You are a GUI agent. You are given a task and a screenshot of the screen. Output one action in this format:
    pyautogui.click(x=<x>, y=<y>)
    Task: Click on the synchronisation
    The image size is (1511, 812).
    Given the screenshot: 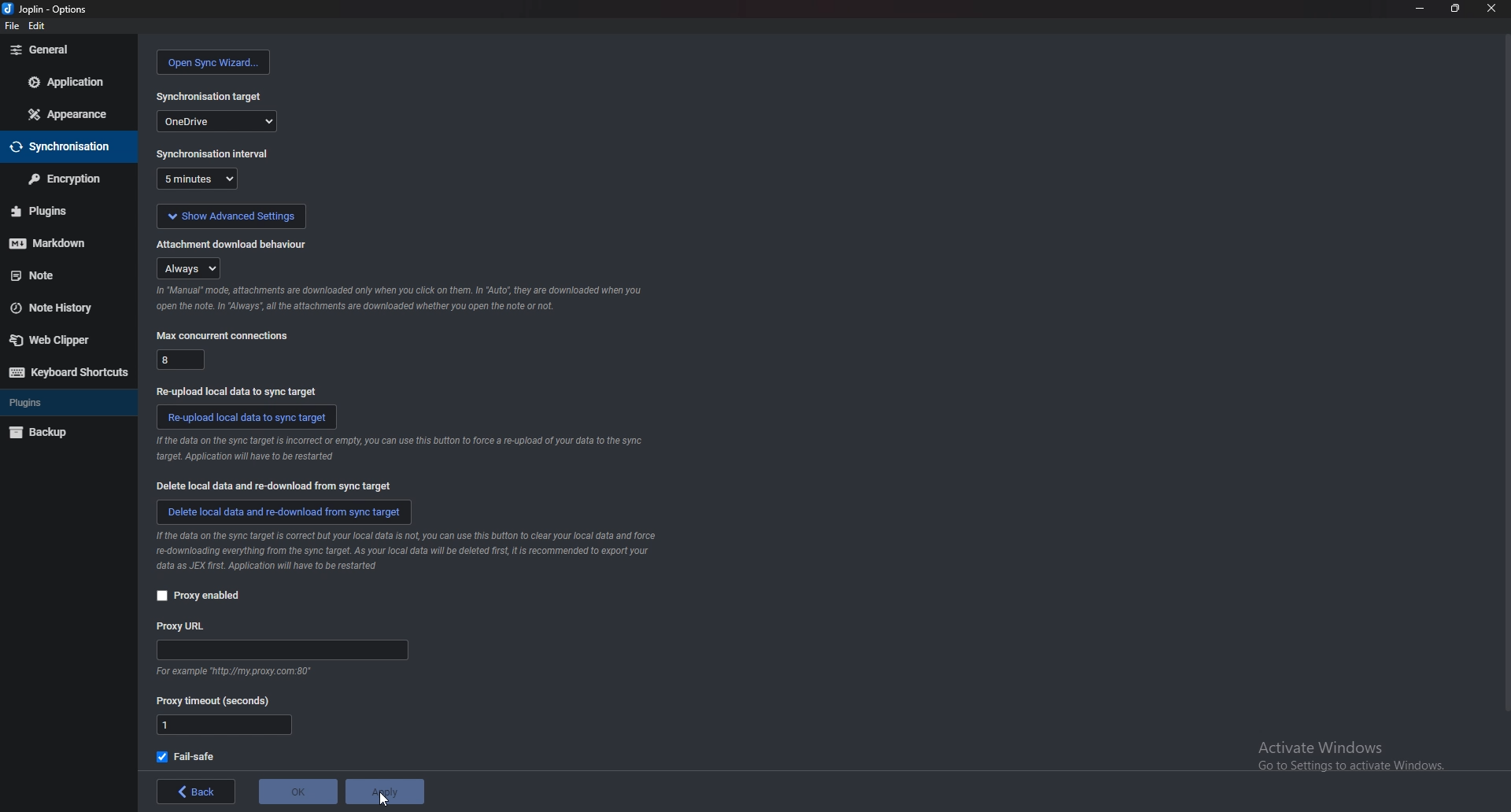 What is the action you would take?
    pyautogui.click(x=65, y=147)
    